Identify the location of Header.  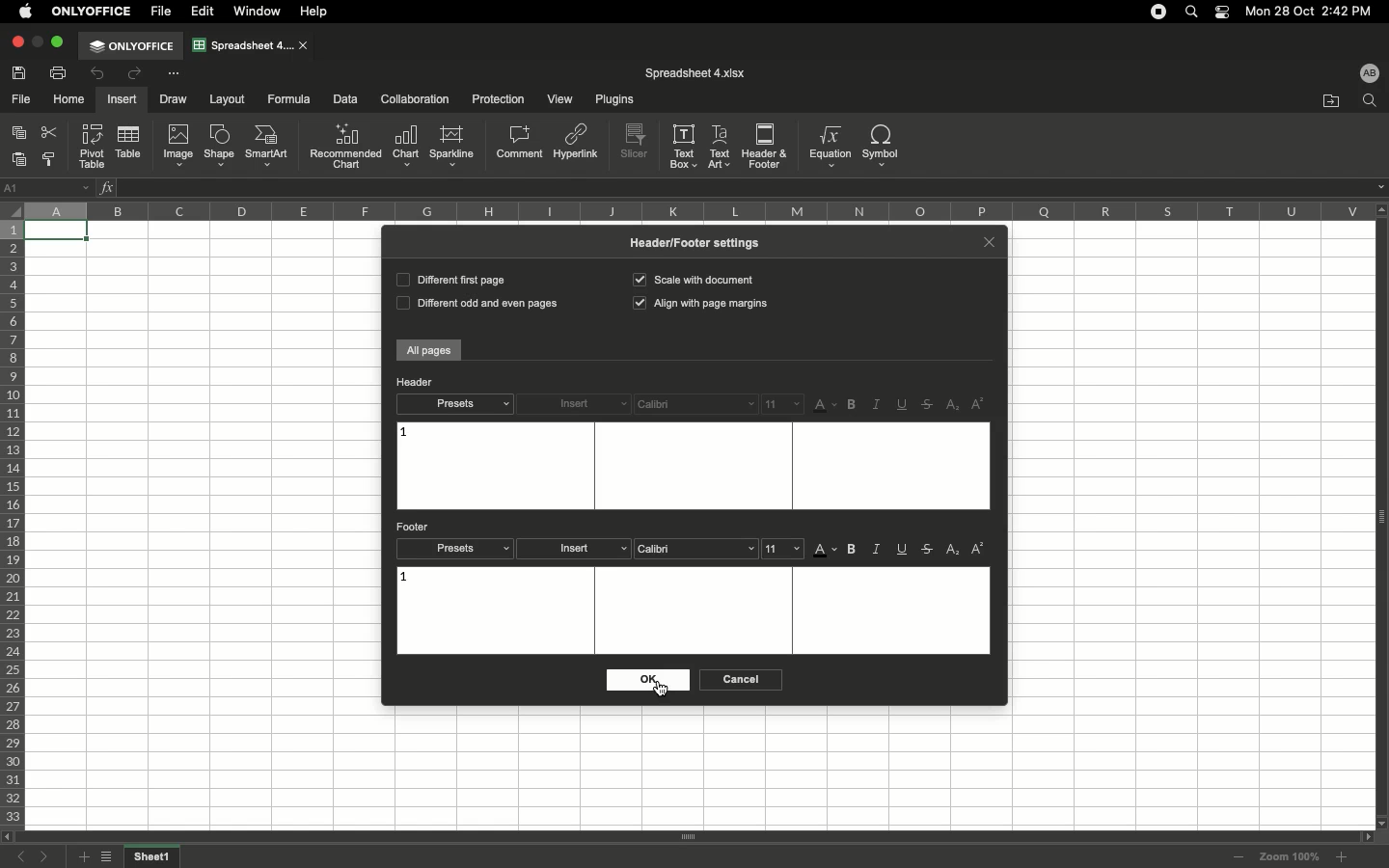
(415, 382).